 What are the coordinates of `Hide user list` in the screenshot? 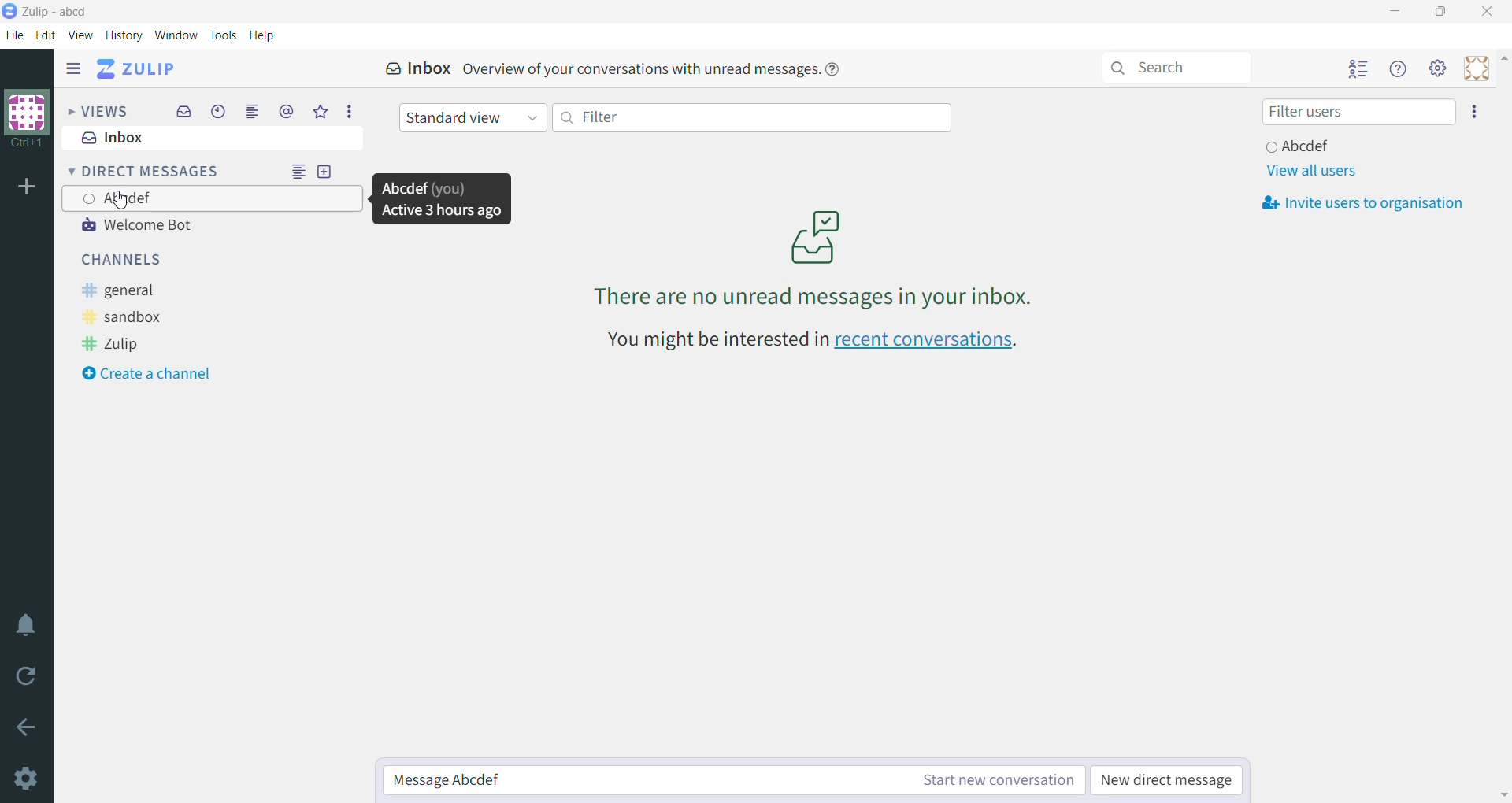 It's located at (1359, 69).